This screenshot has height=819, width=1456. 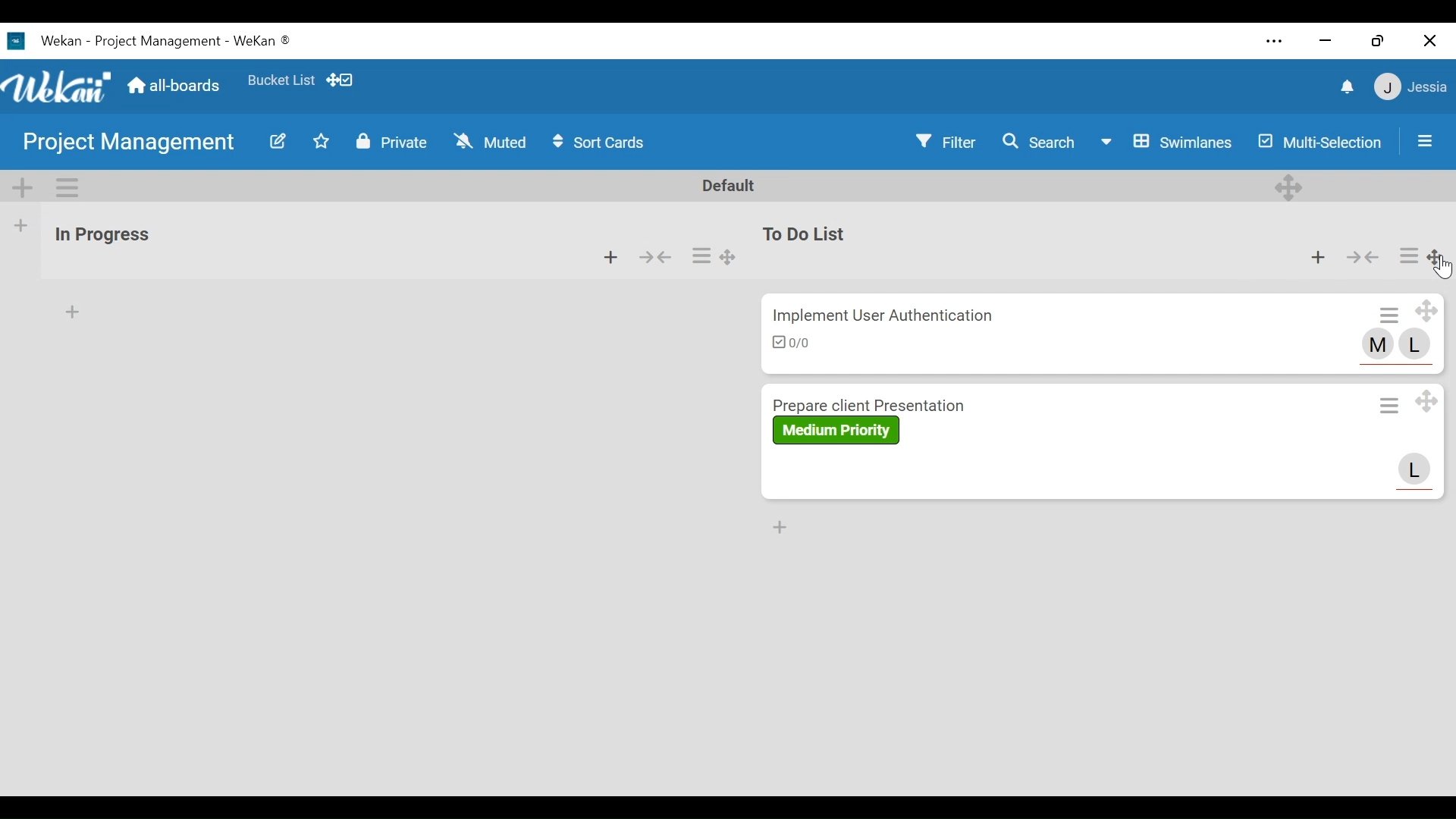 What do you see at coordinates (970, 442) in the screenshot?
I see `Card` at bounding box center [970, 442].